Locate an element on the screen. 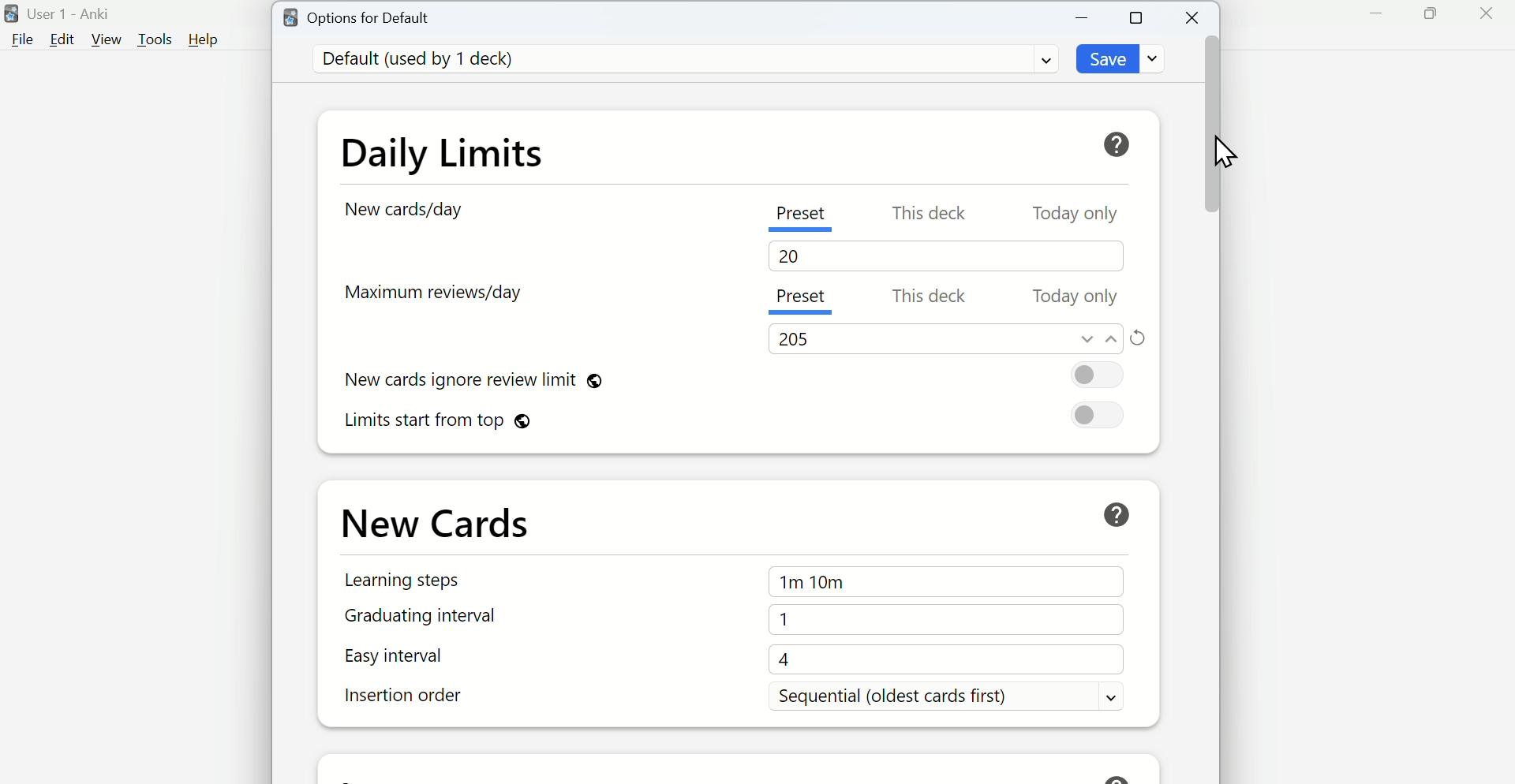 The width and height of the screenshot is (1515, 784). Help is located at coordinates (1116, 514).